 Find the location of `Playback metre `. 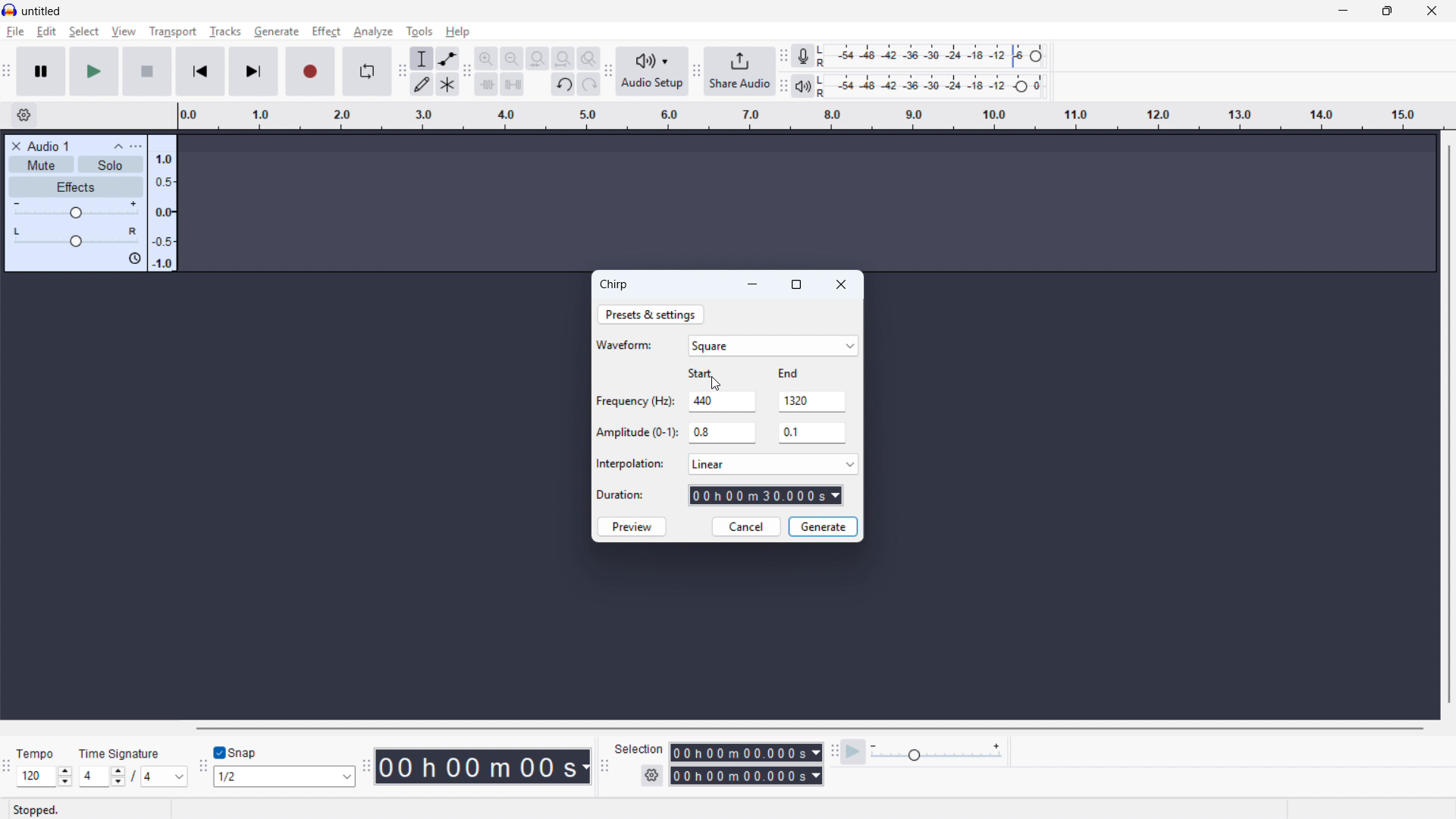

Playback metre  is located at coordinates (803, 86).